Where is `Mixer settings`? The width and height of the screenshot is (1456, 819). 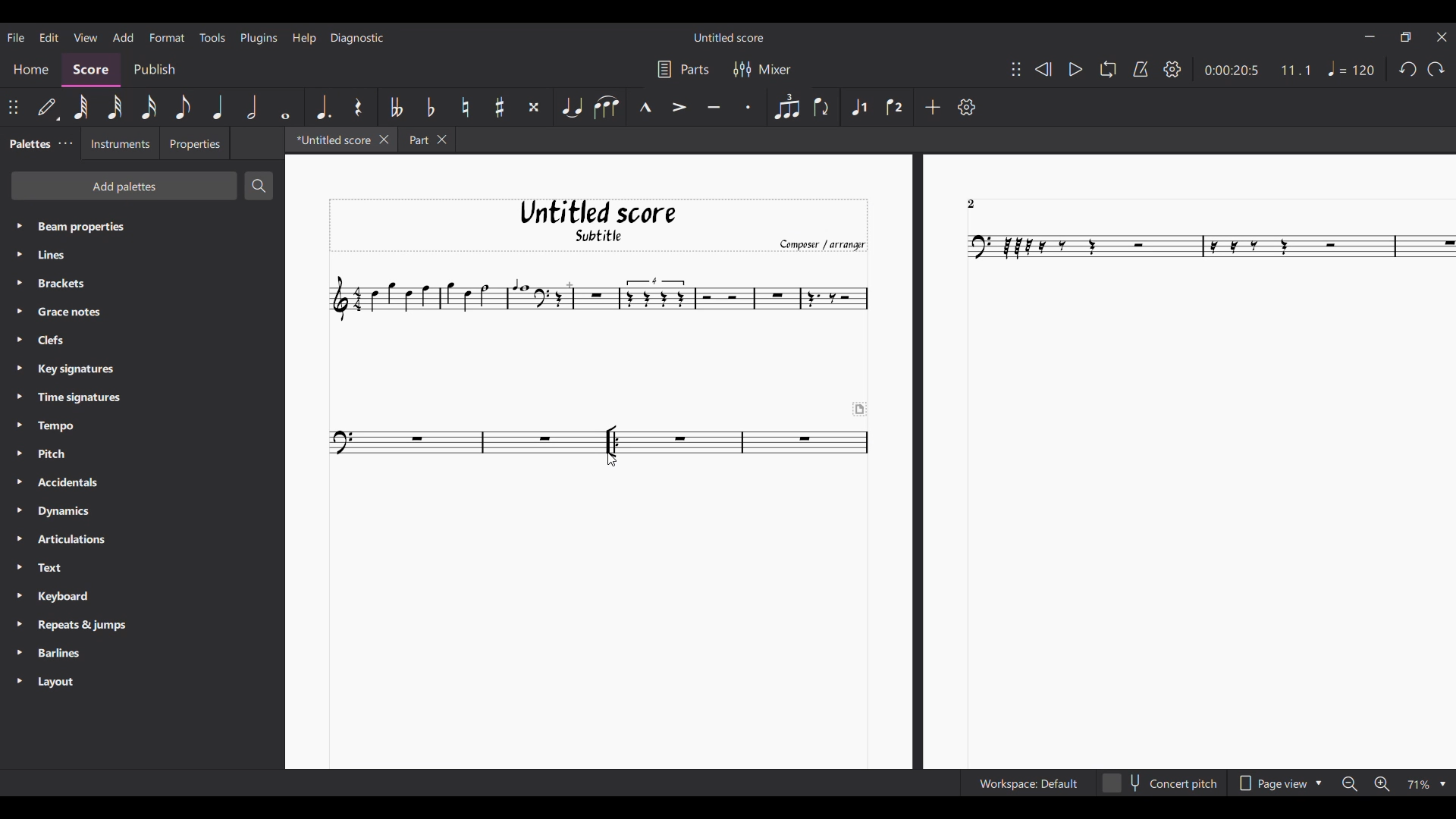
Mixer settings is located at coordinates (764, 70).